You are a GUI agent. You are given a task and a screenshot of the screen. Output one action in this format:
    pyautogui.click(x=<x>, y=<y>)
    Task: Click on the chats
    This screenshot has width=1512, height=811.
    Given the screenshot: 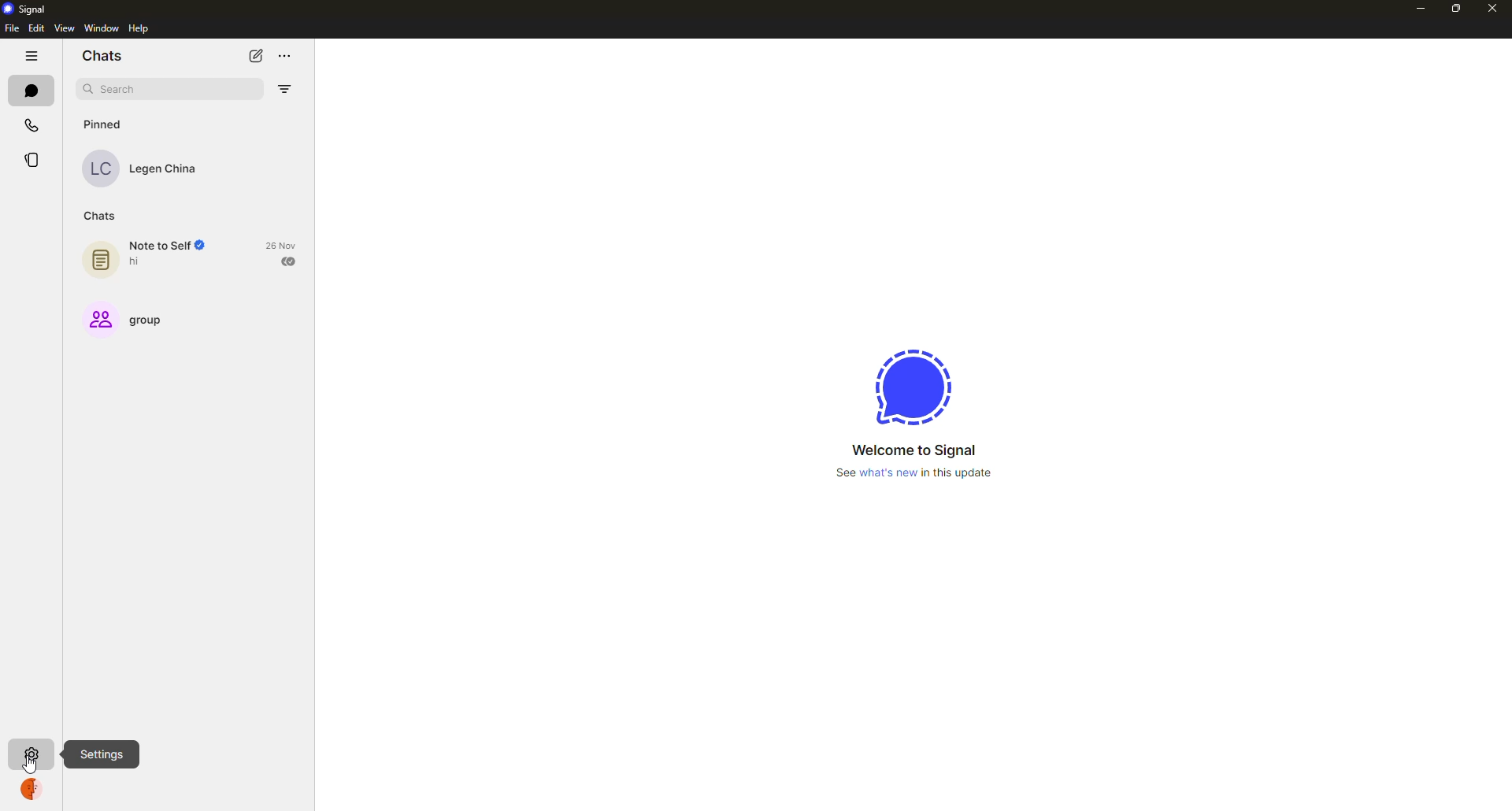 What is the action you would take?
    pyautogui.click(x=30, y=90)
    